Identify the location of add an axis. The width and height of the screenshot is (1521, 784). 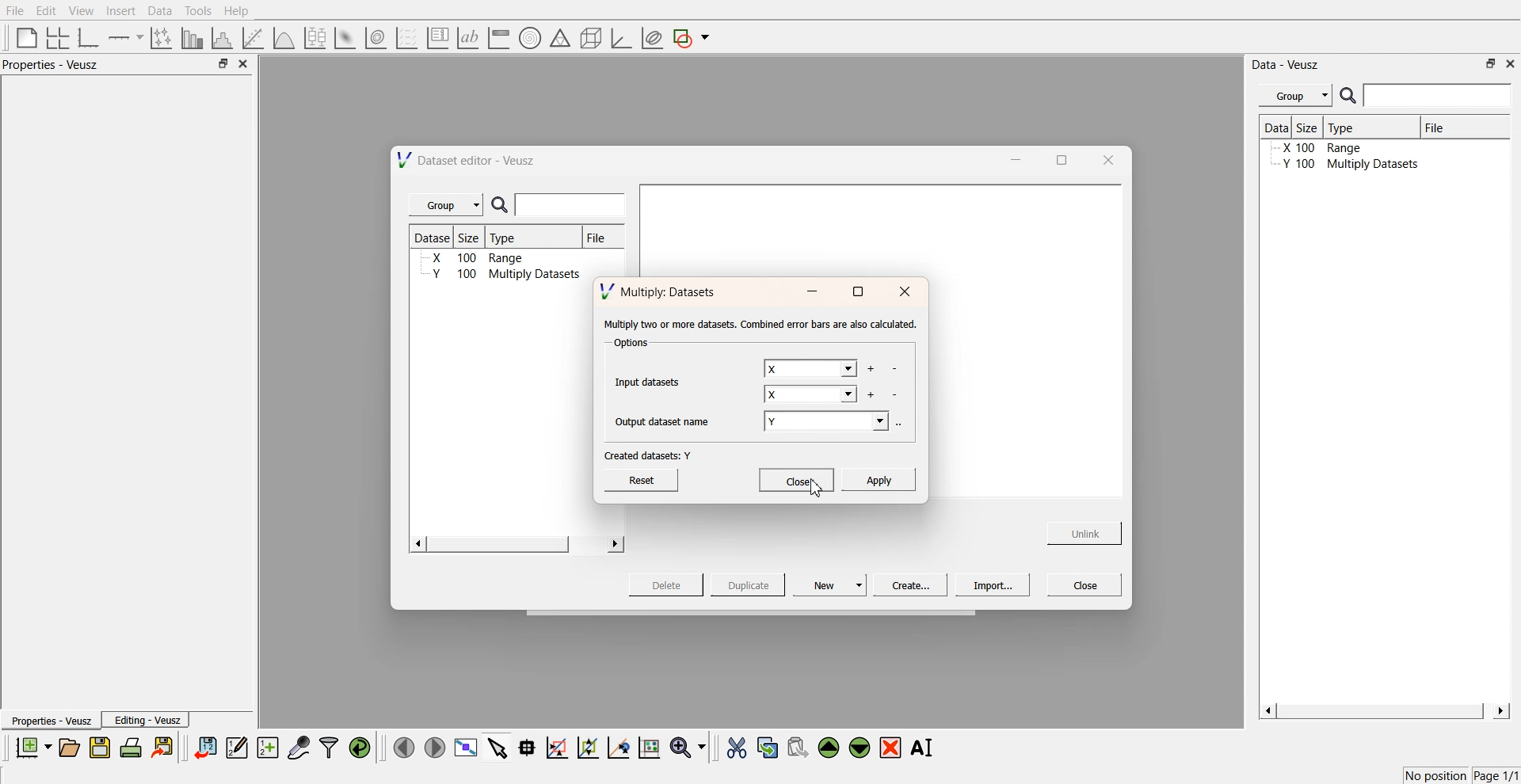
(127, 37).